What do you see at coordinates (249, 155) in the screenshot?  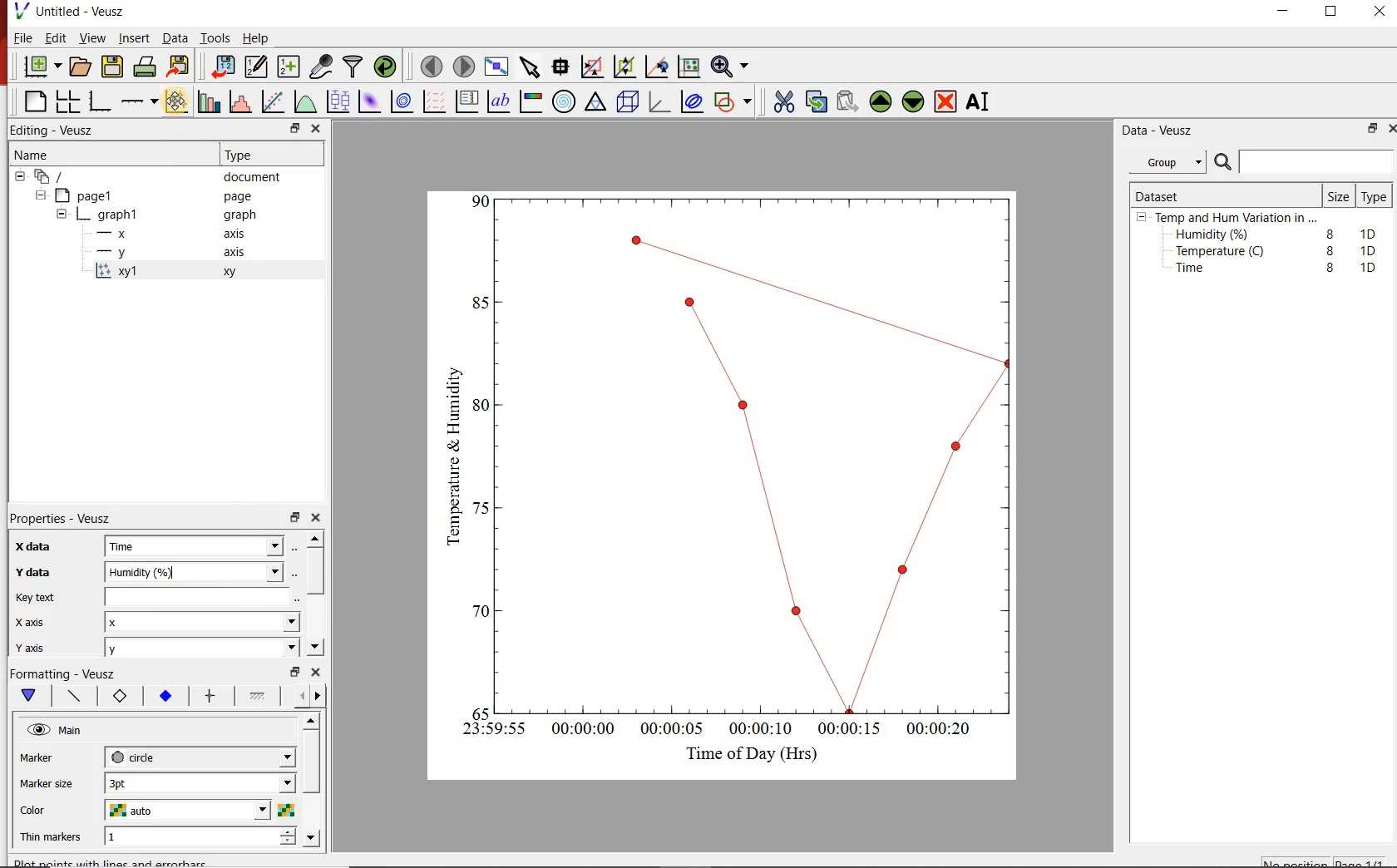 I see `Type` at bounding box center [249, 155].